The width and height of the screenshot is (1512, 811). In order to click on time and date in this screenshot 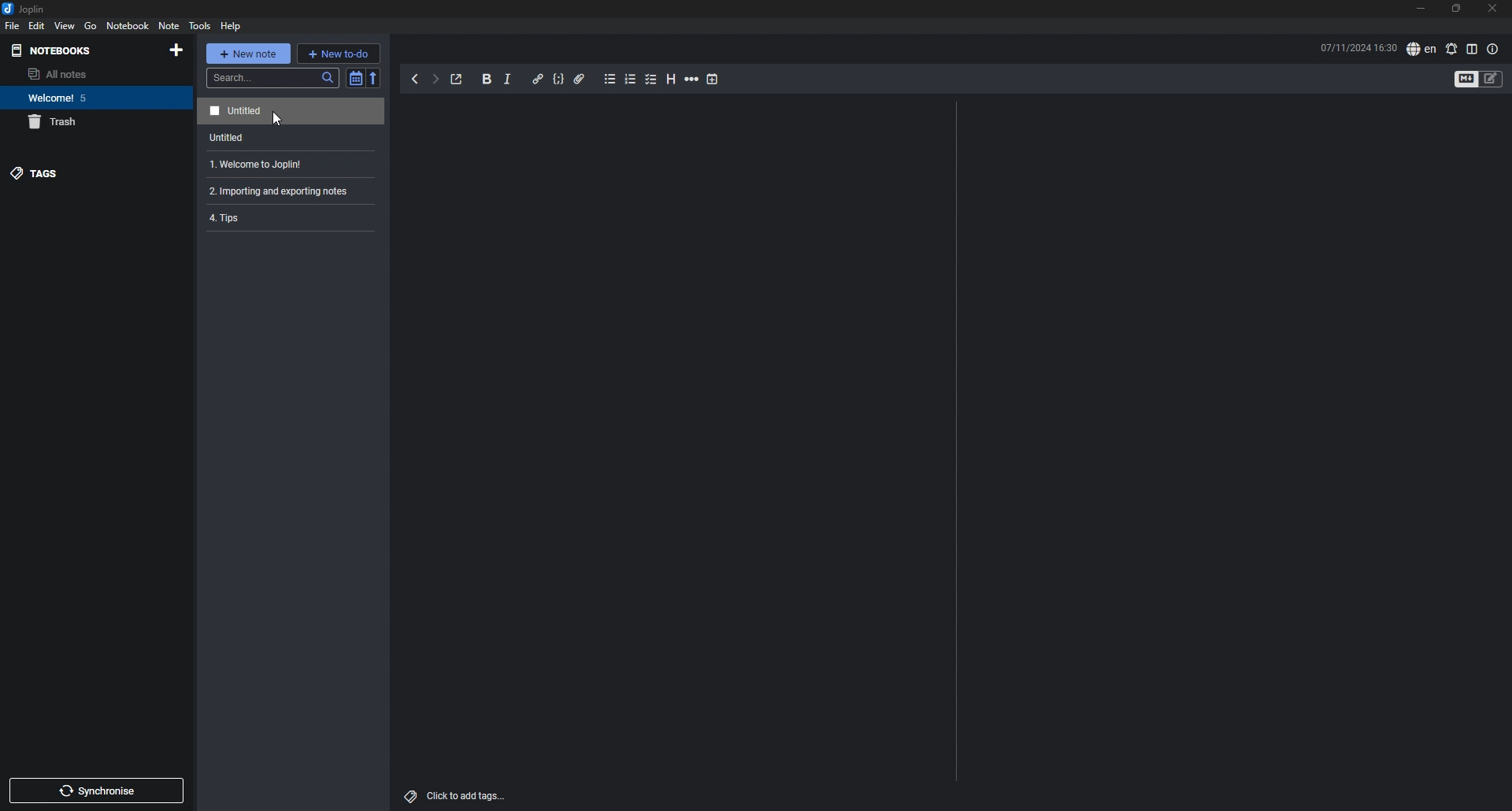, I will do `click(1358, 47)`.